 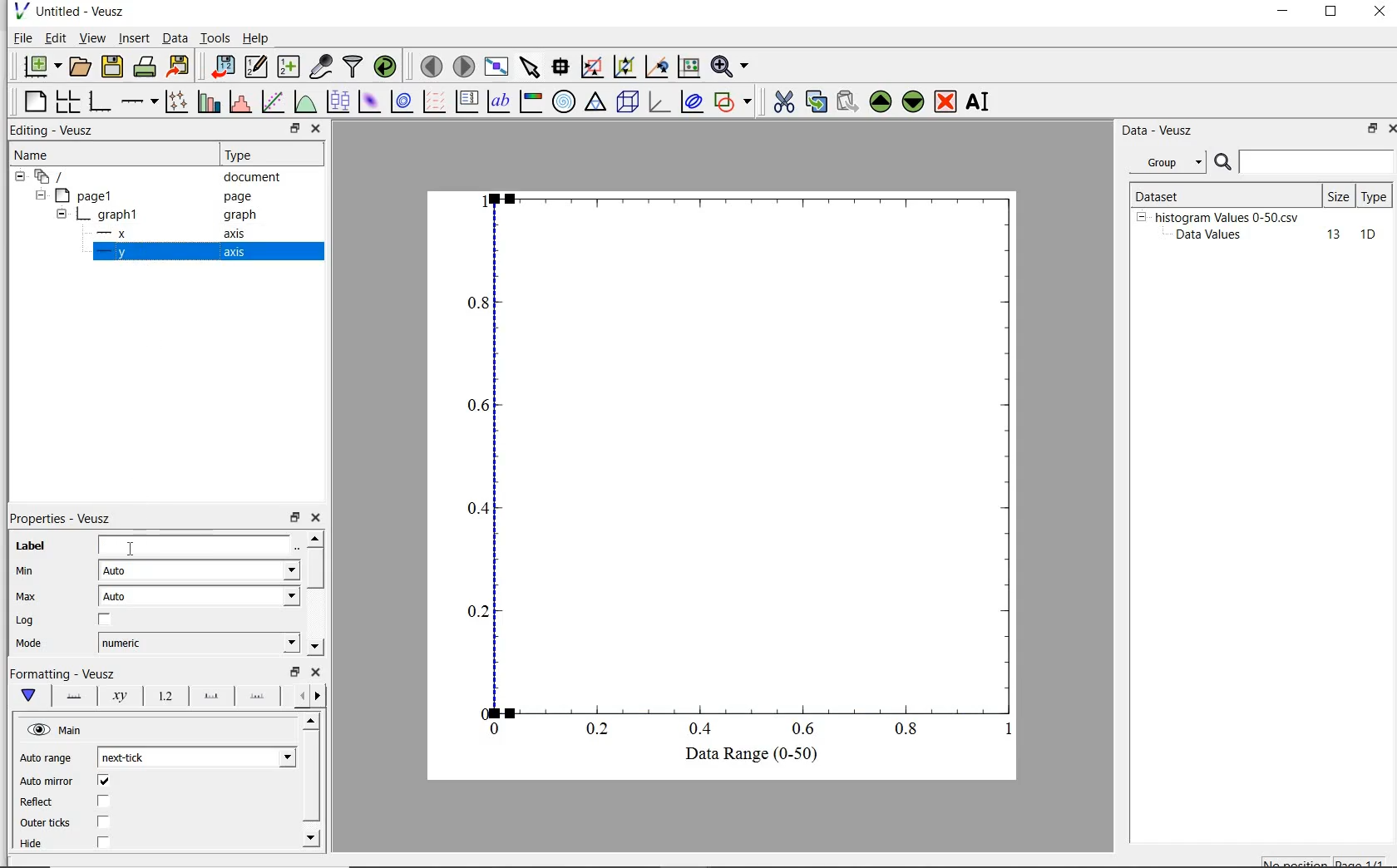 I want to click on plot key, so click(x=466, y=101).